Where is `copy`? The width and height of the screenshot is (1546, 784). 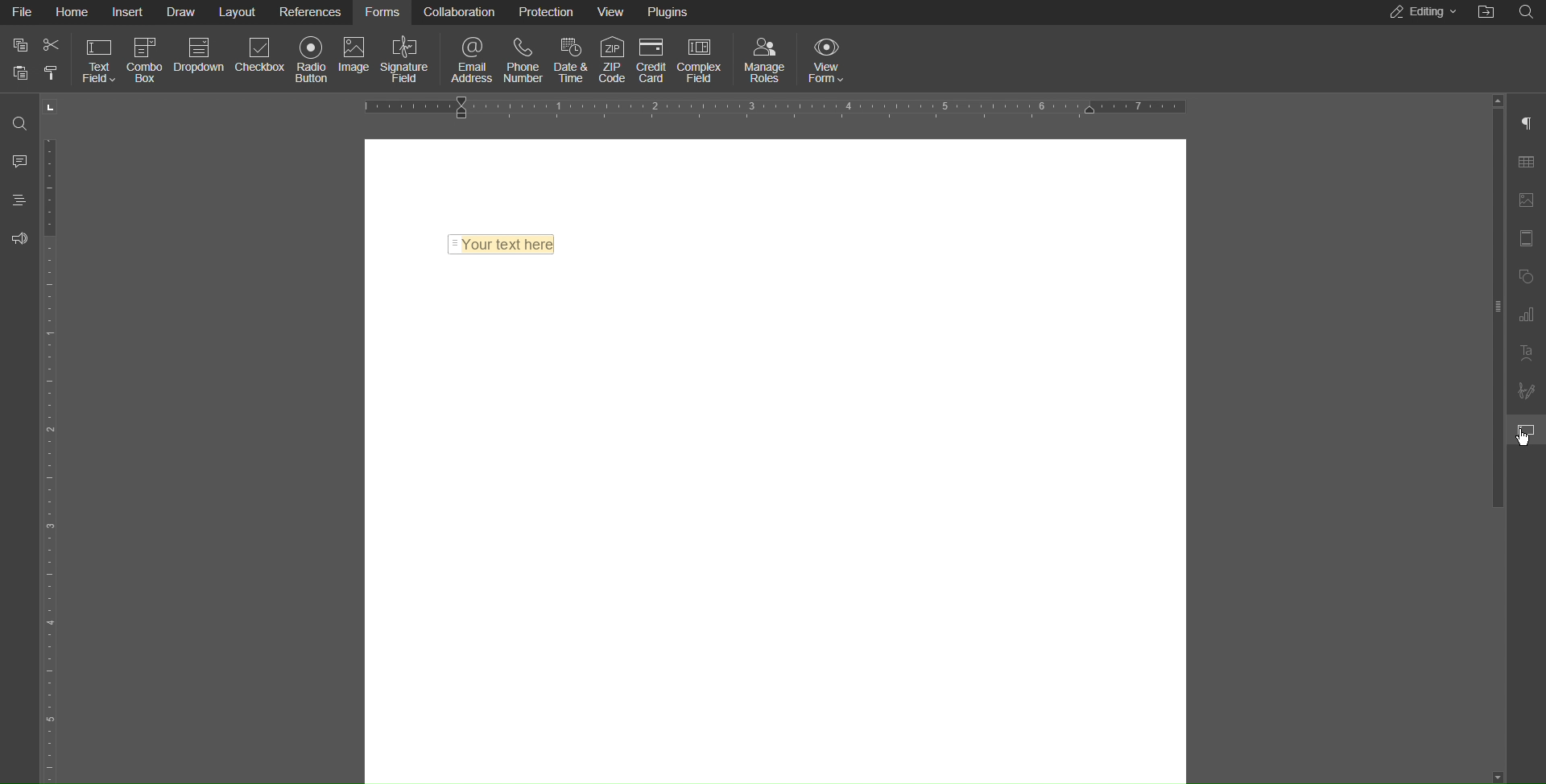 copy is located at coordinates (19, 45).